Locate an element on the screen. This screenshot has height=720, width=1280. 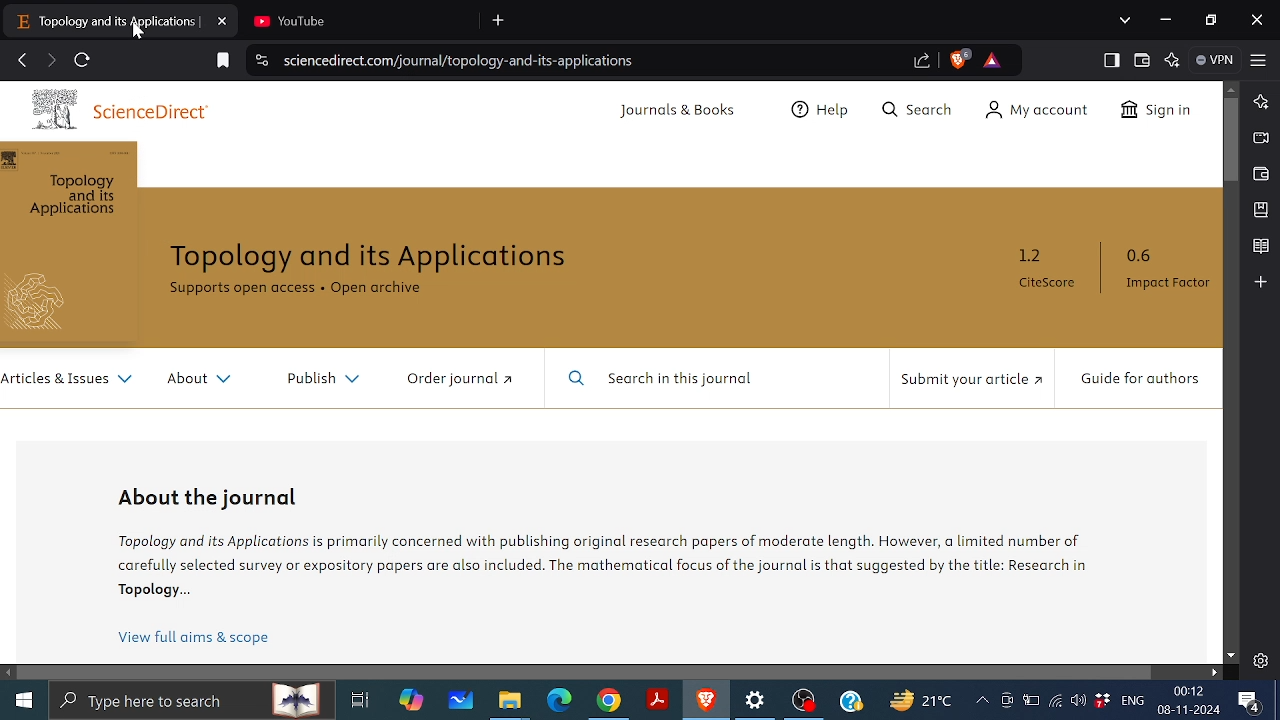
close is located at coordinates (1257, 22).